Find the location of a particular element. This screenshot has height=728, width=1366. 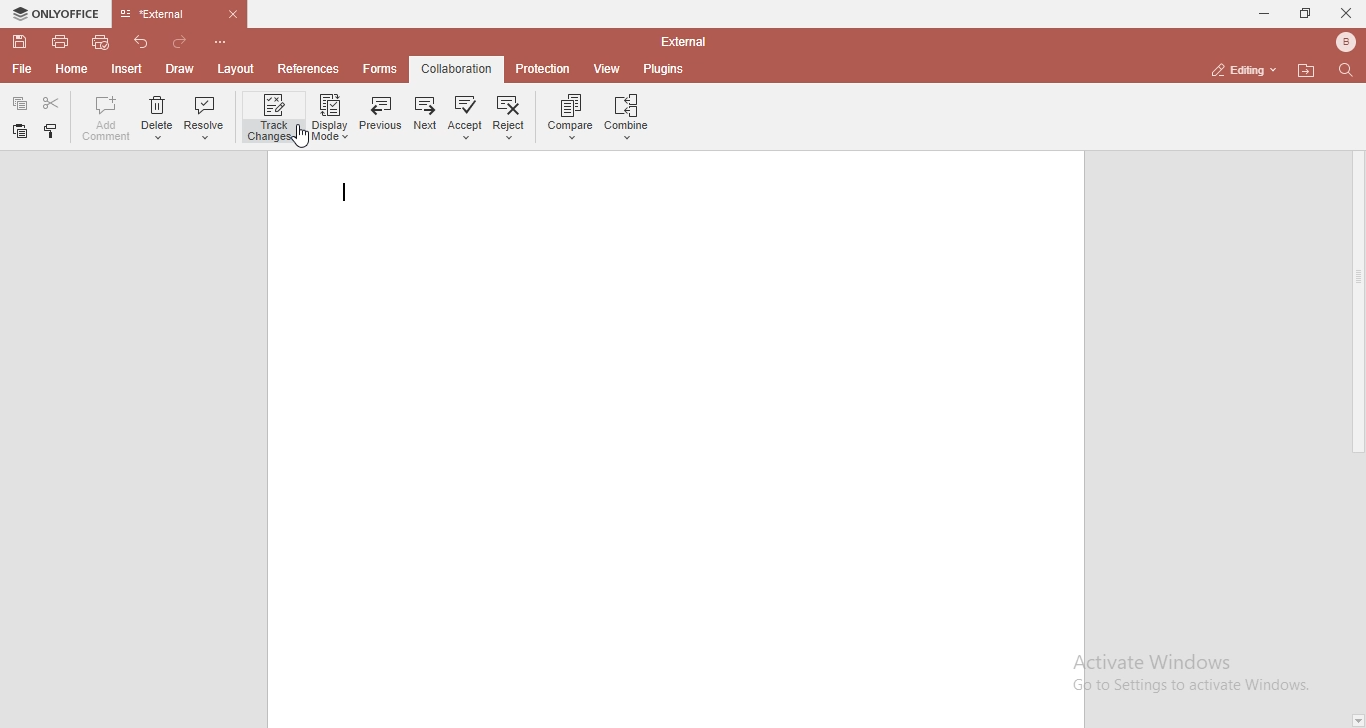

view is located at coordinates (609, 70).